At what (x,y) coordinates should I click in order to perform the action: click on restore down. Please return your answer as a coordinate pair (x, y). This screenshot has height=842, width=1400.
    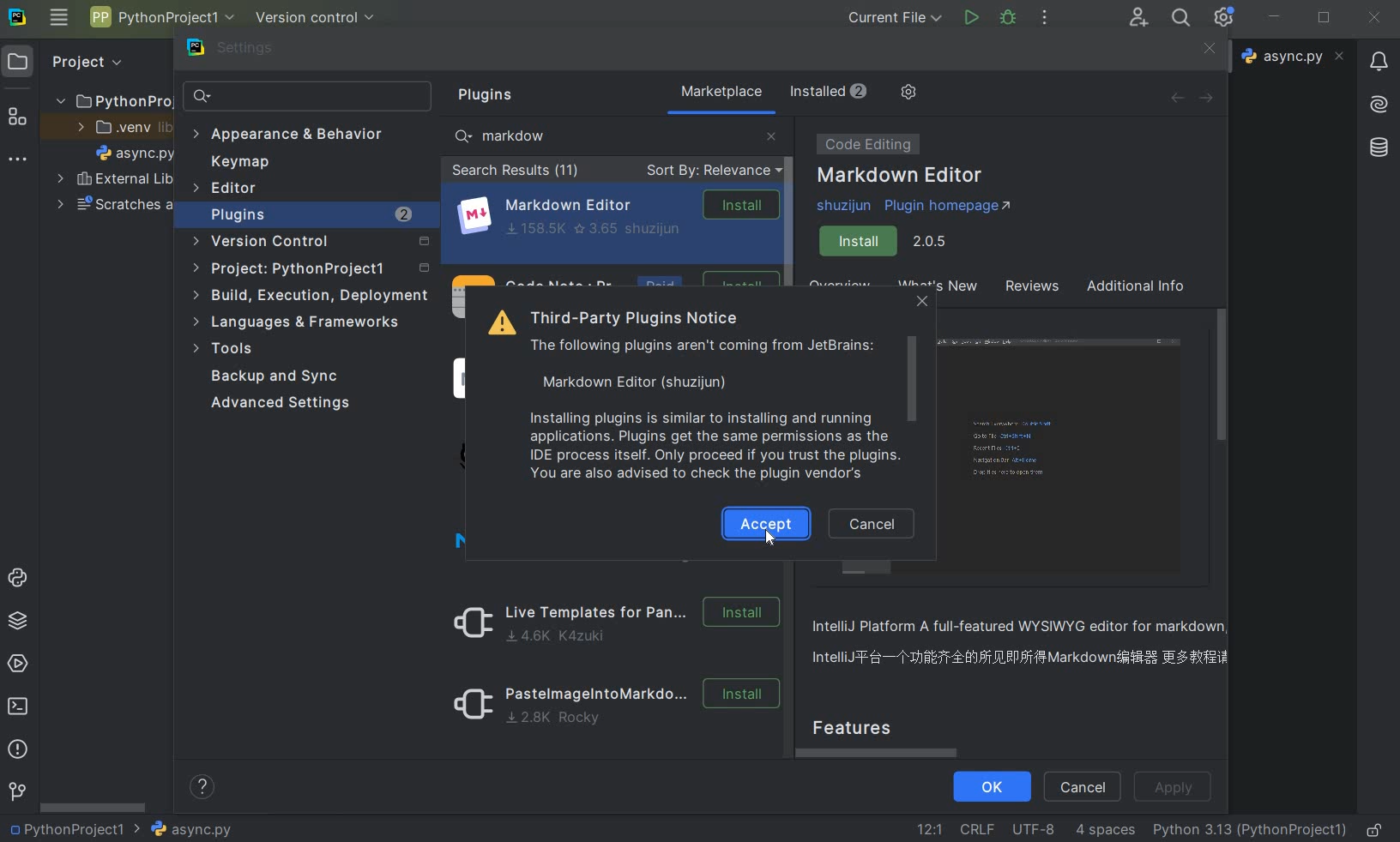
    Looking at the image, I should click on (1325, 19).